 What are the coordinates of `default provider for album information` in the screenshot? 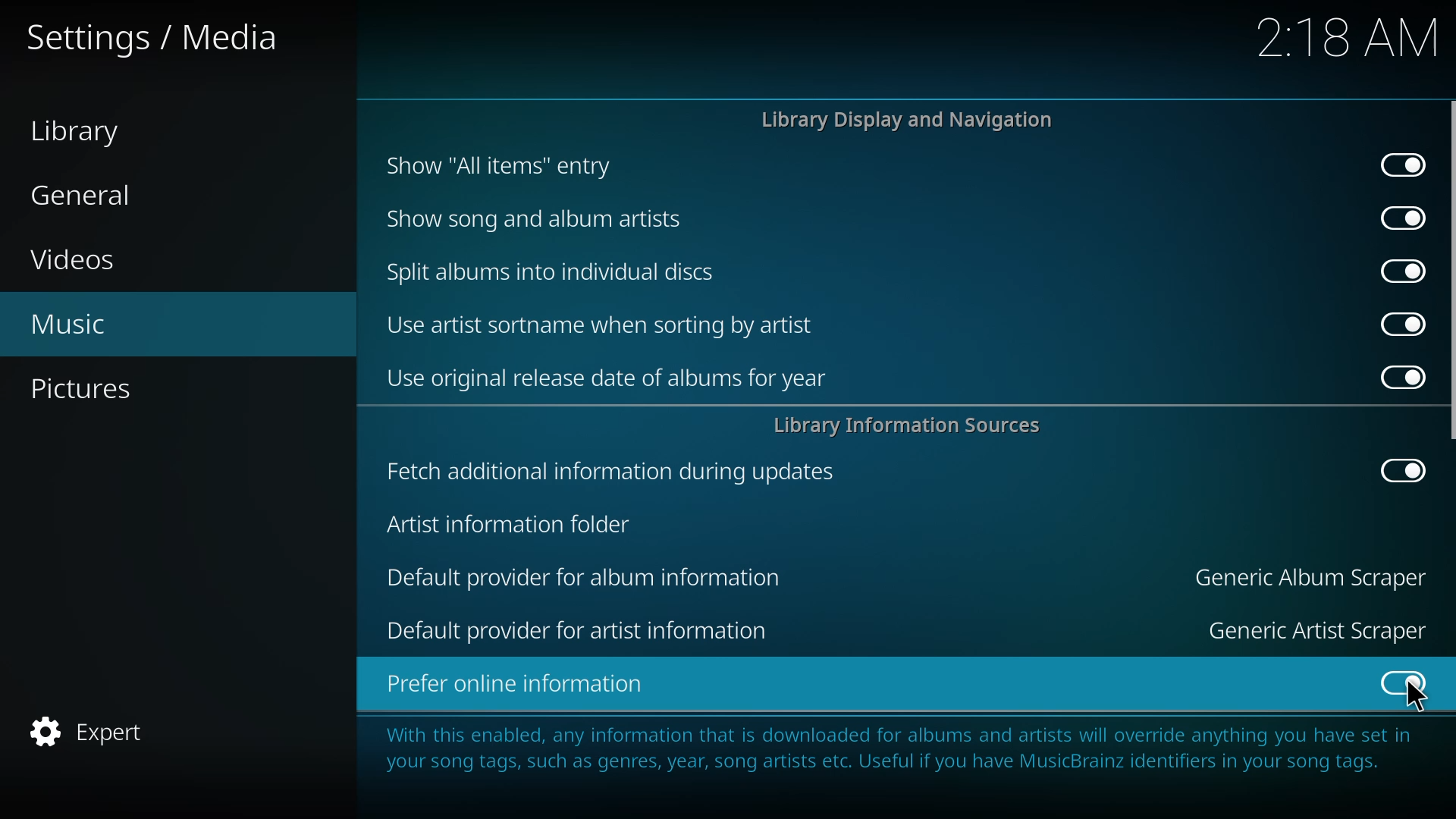 It's located at (582, 576).